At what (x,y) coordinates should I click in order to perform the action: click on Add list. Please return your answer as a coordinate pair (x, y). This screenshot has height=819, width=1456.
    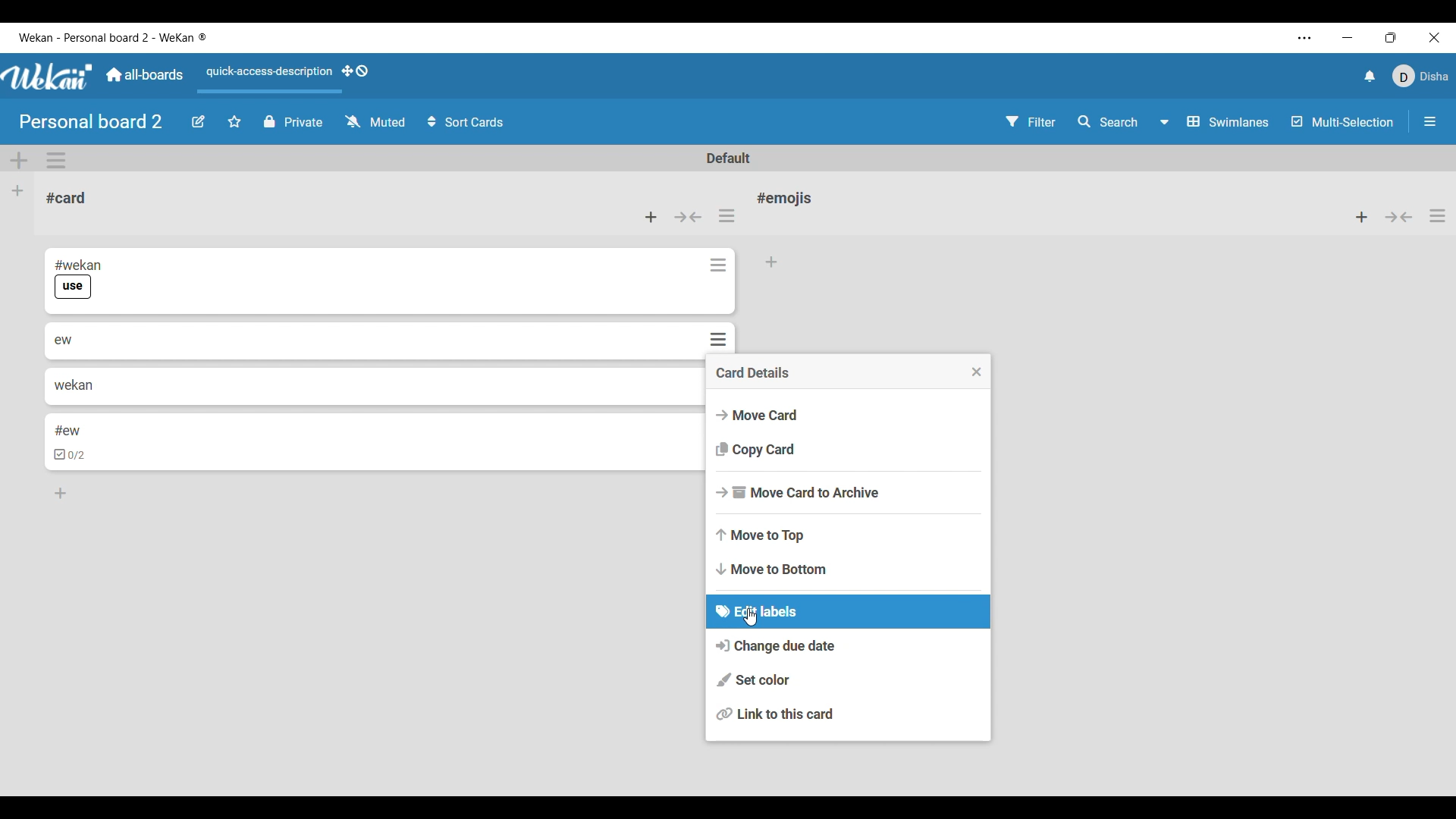
    Looking at the image, I should click on (17, 191).